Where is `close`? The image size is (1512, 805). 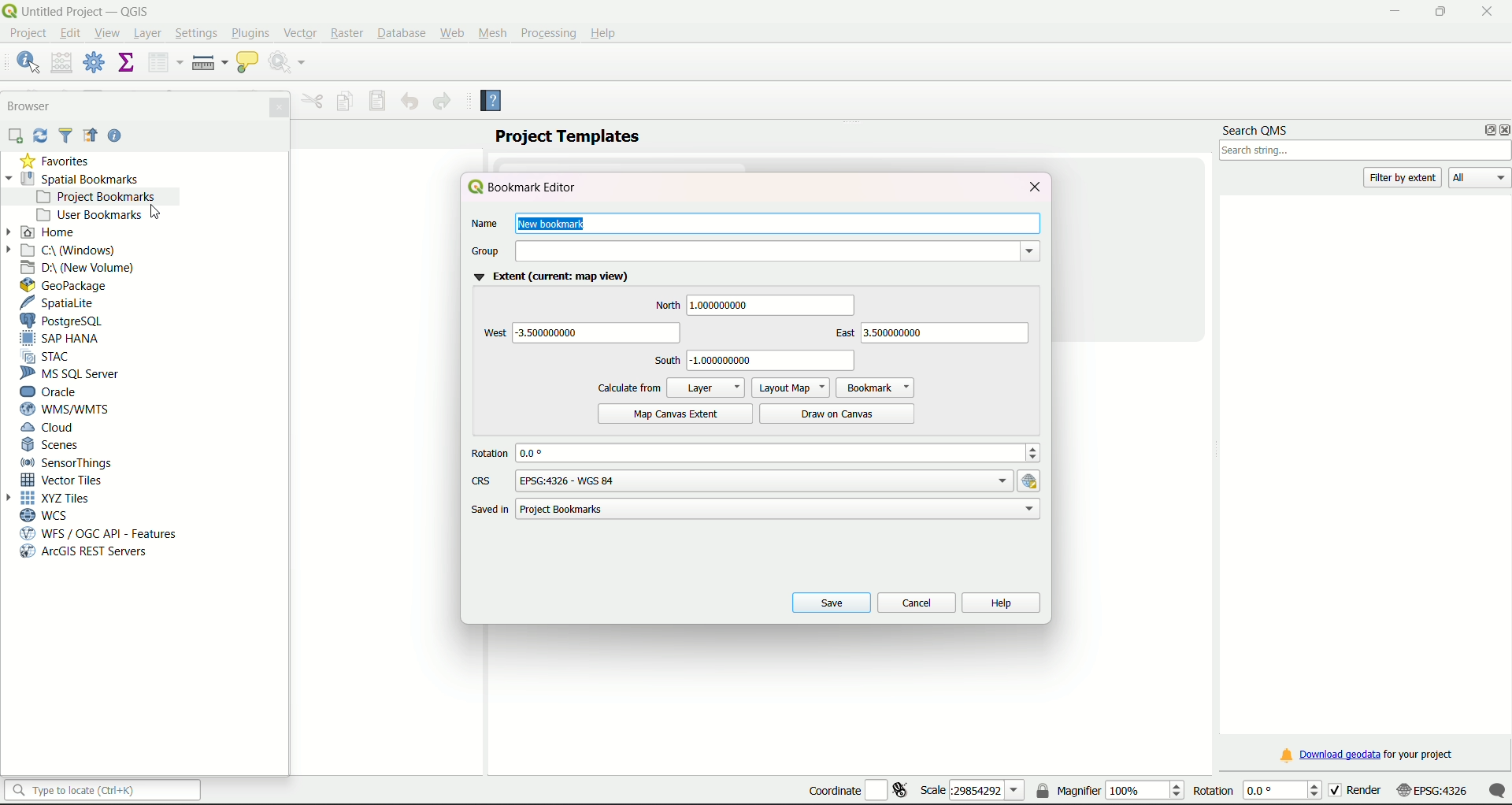 close is located at coordinates (1503, 131).